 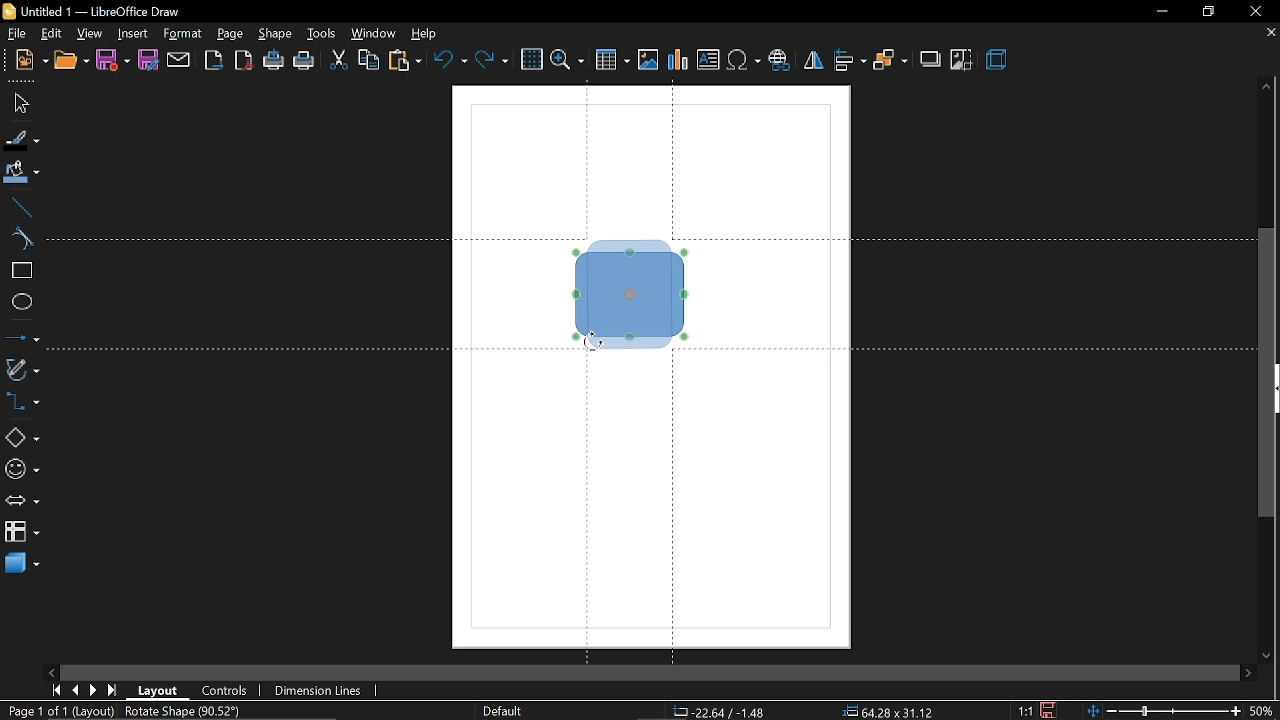 What do you see at coordinates (22, 564) in the screenshot?
I see `3d shapes` at bounding box center [22, 564].